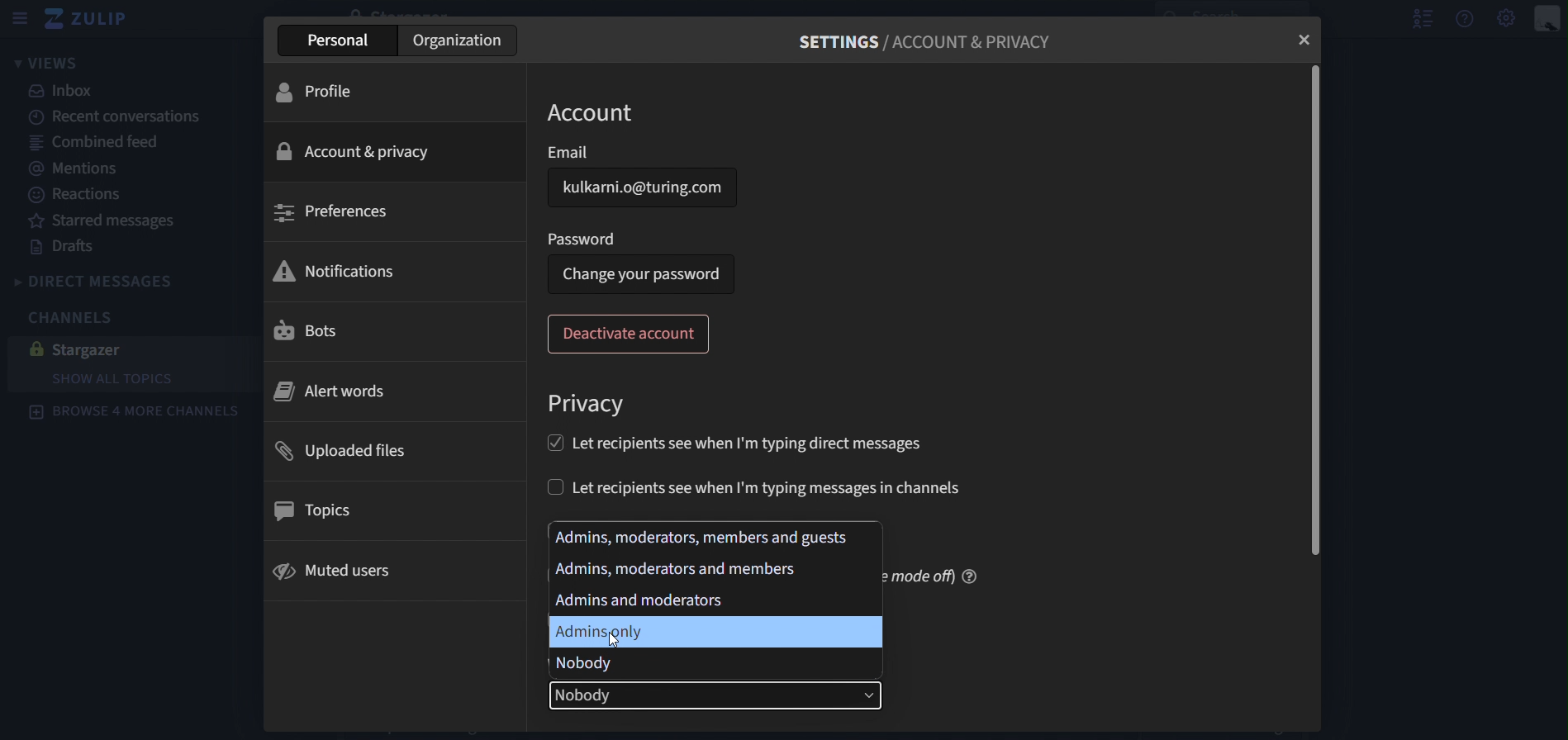 Image resolution: width=1568 pixels, height=740 pixels. Describe the element at coordinates (932, 575) in the screenshot. I see `2 mode off) ®` at that location.